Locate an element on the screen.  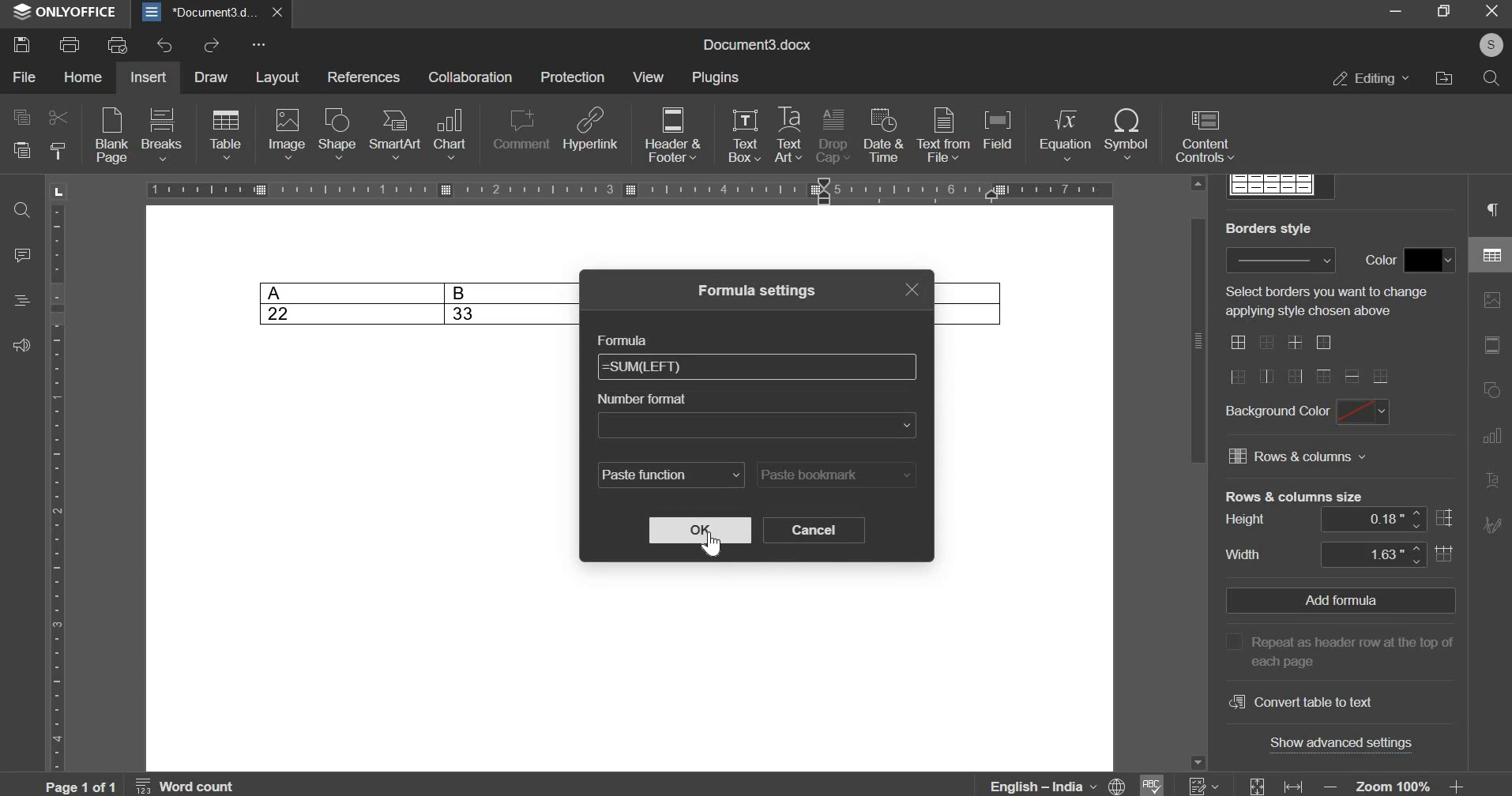
numericals is located at coordinates (1203, 785).